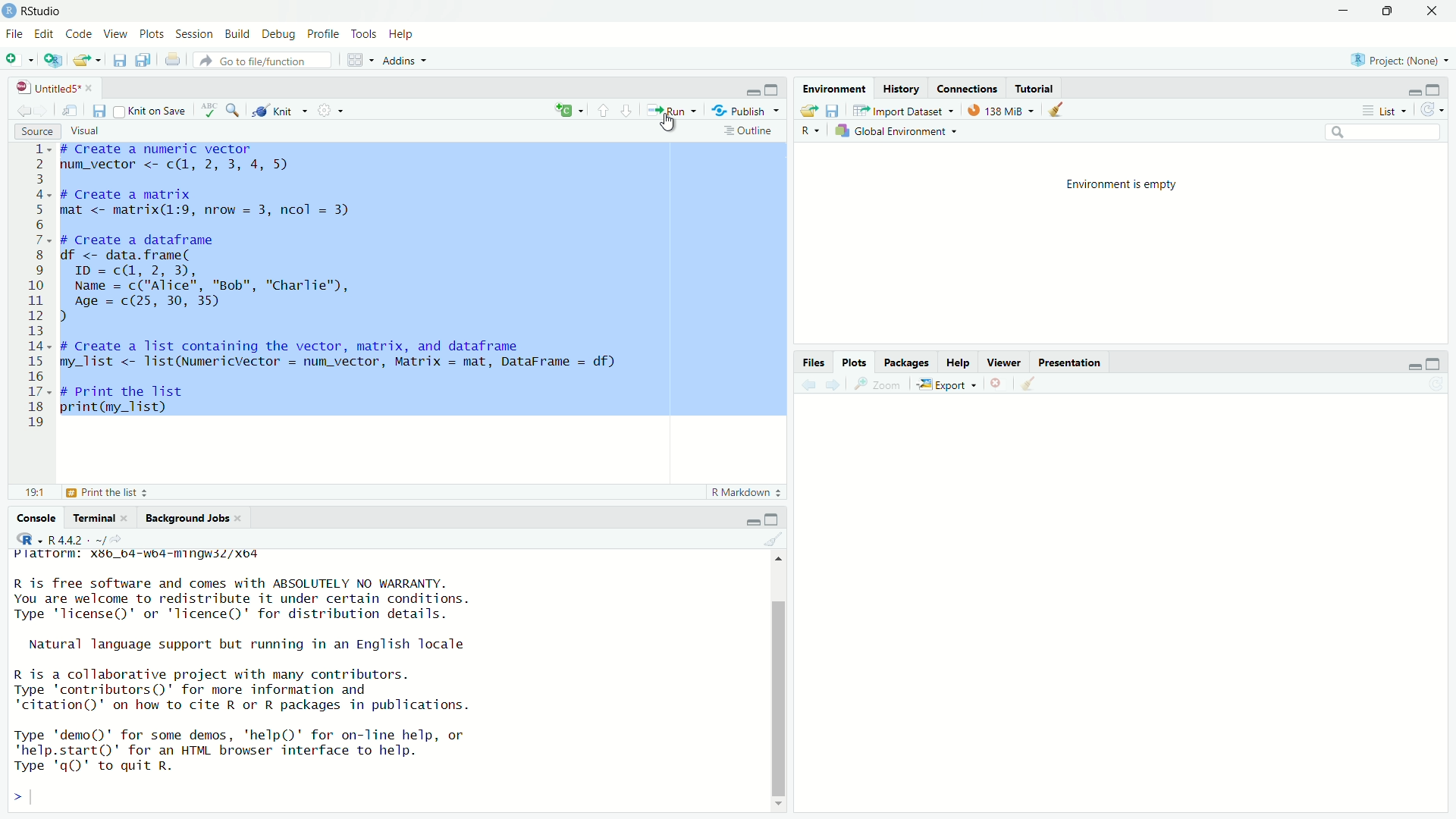 This screenshot has width=1456, height=819. I want to click on Publish ~, so click(747, 111).